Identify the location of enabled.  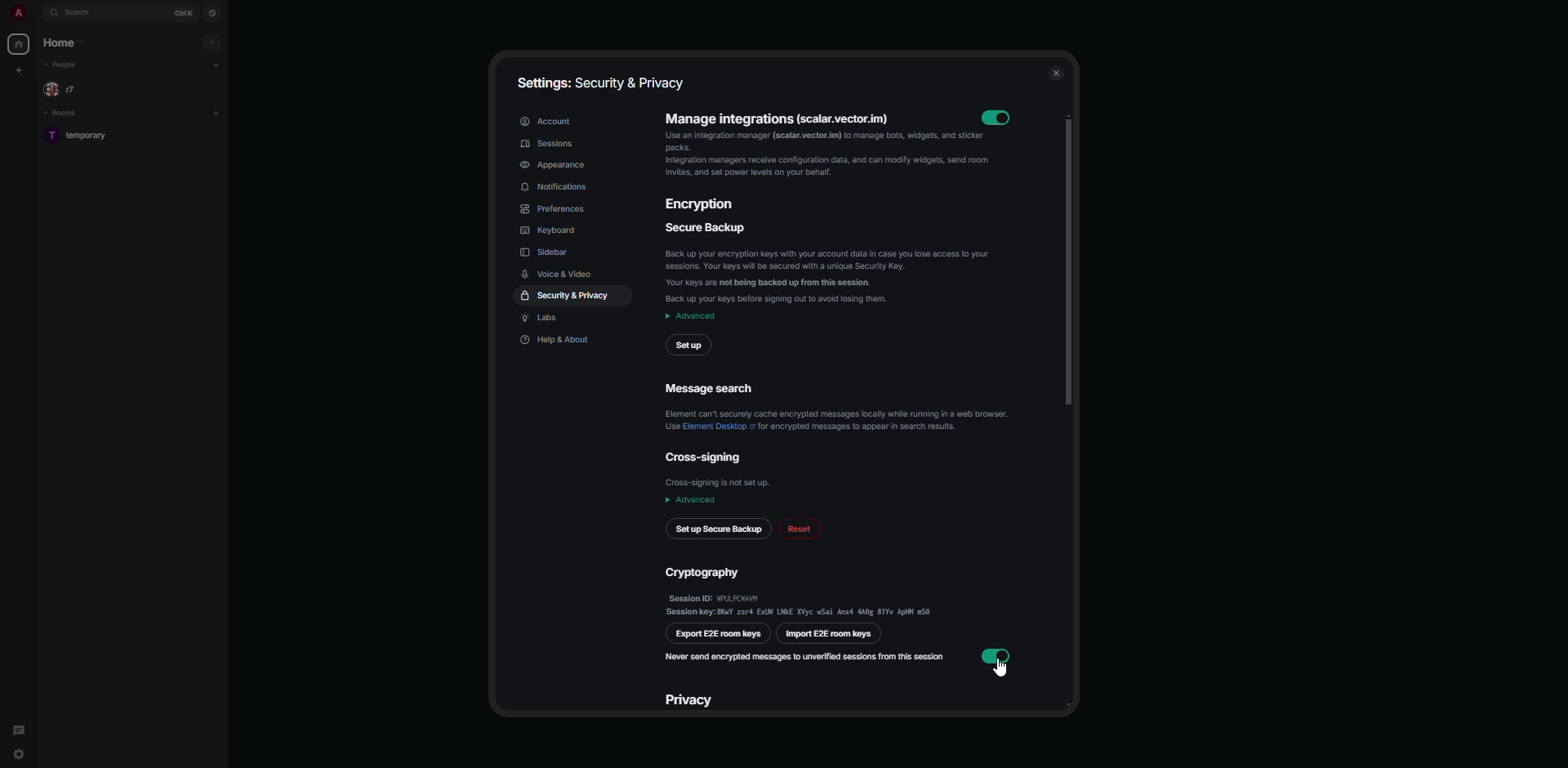
(998, 654).